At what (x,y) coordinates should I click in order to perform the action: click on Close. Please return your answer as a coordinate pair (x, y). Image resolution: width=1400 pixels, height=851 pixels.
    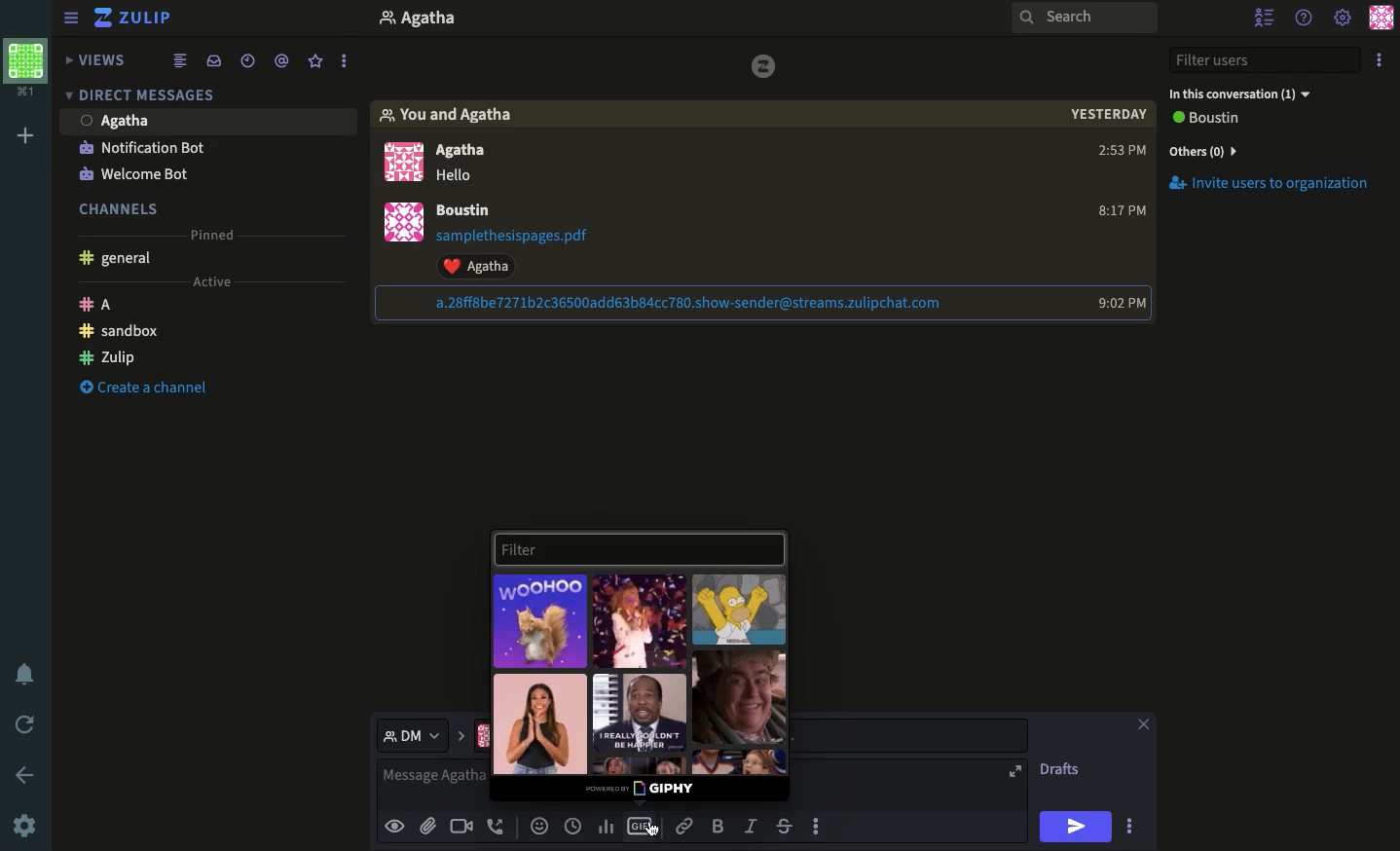
    Looking at the image, I should click on (1144, 721).